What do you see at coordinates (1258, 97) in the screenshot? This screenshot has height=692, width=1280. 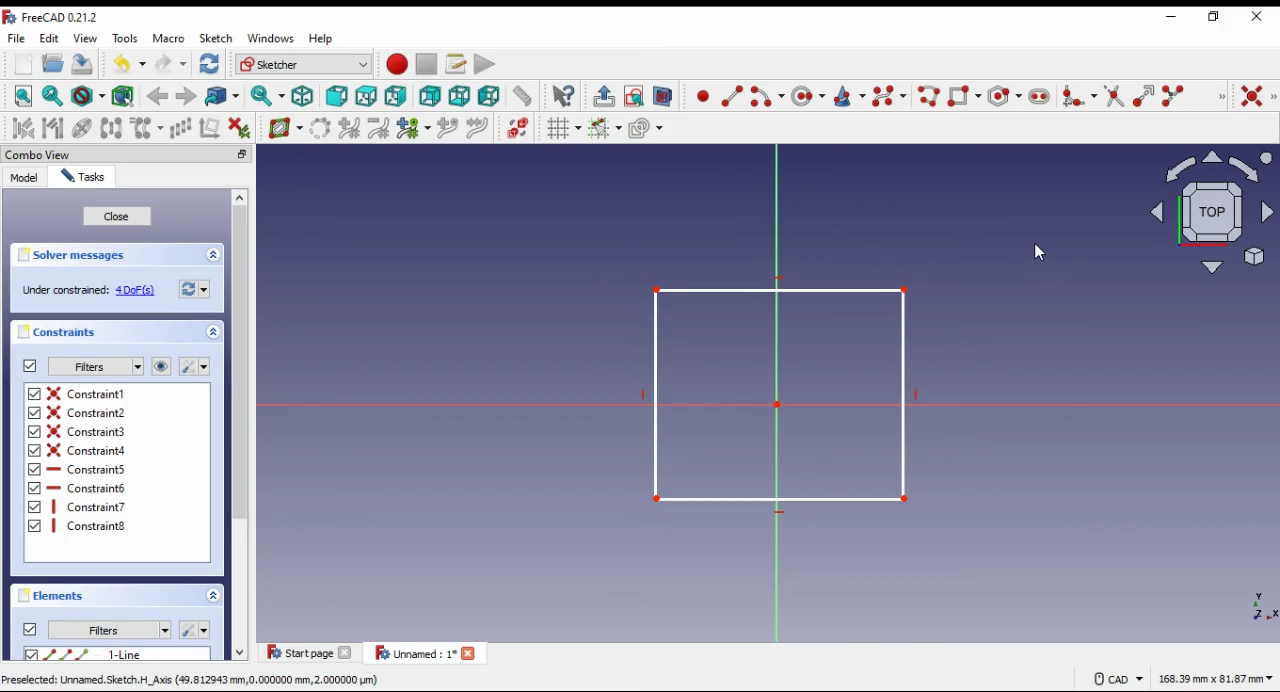 I see `constraint coincident` at bounding box center [1258, 97].